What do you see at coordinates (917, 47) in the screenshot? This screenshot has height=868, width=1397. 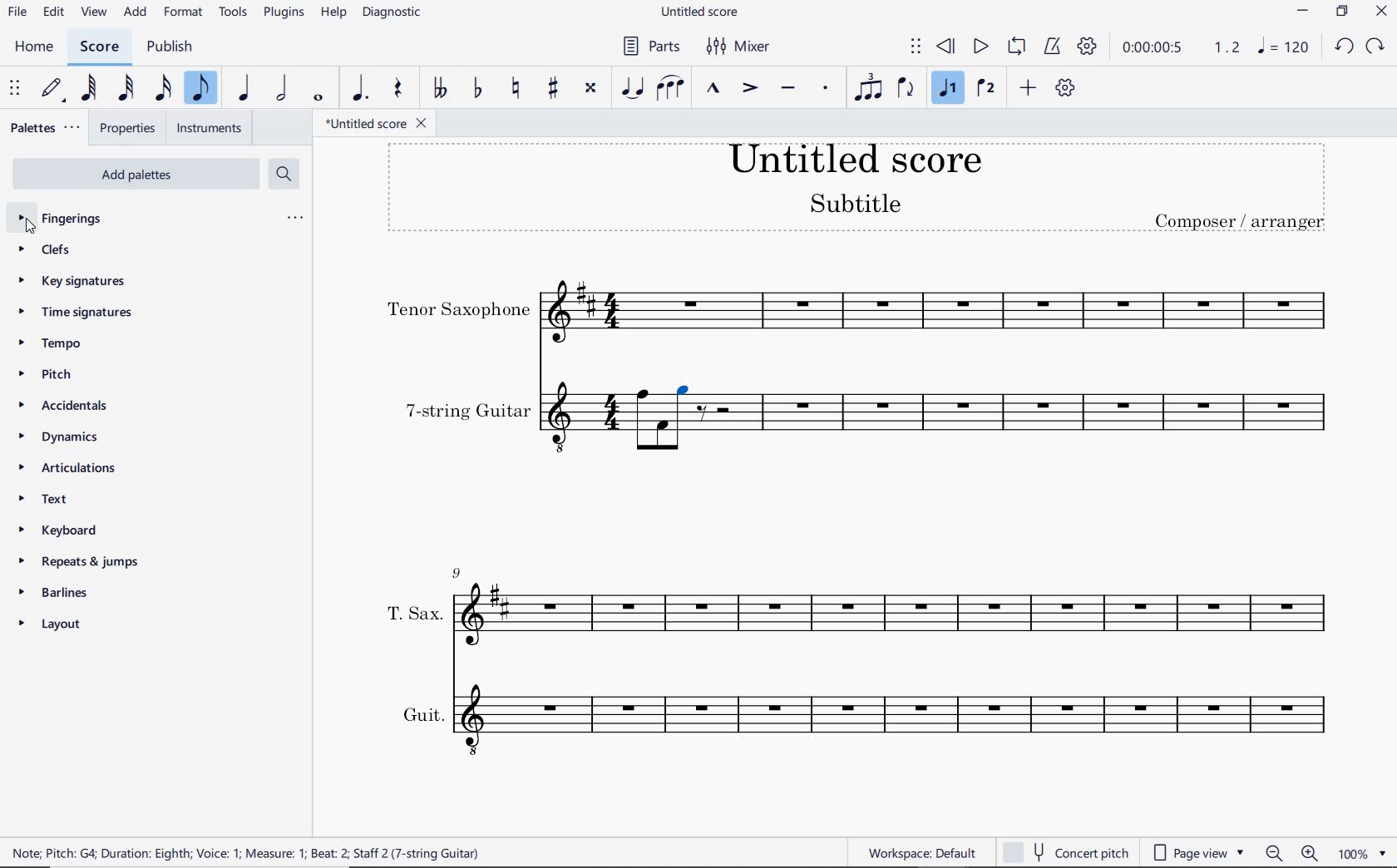 I see `SELECT TO MOVE` at bounding box center [917, 47].